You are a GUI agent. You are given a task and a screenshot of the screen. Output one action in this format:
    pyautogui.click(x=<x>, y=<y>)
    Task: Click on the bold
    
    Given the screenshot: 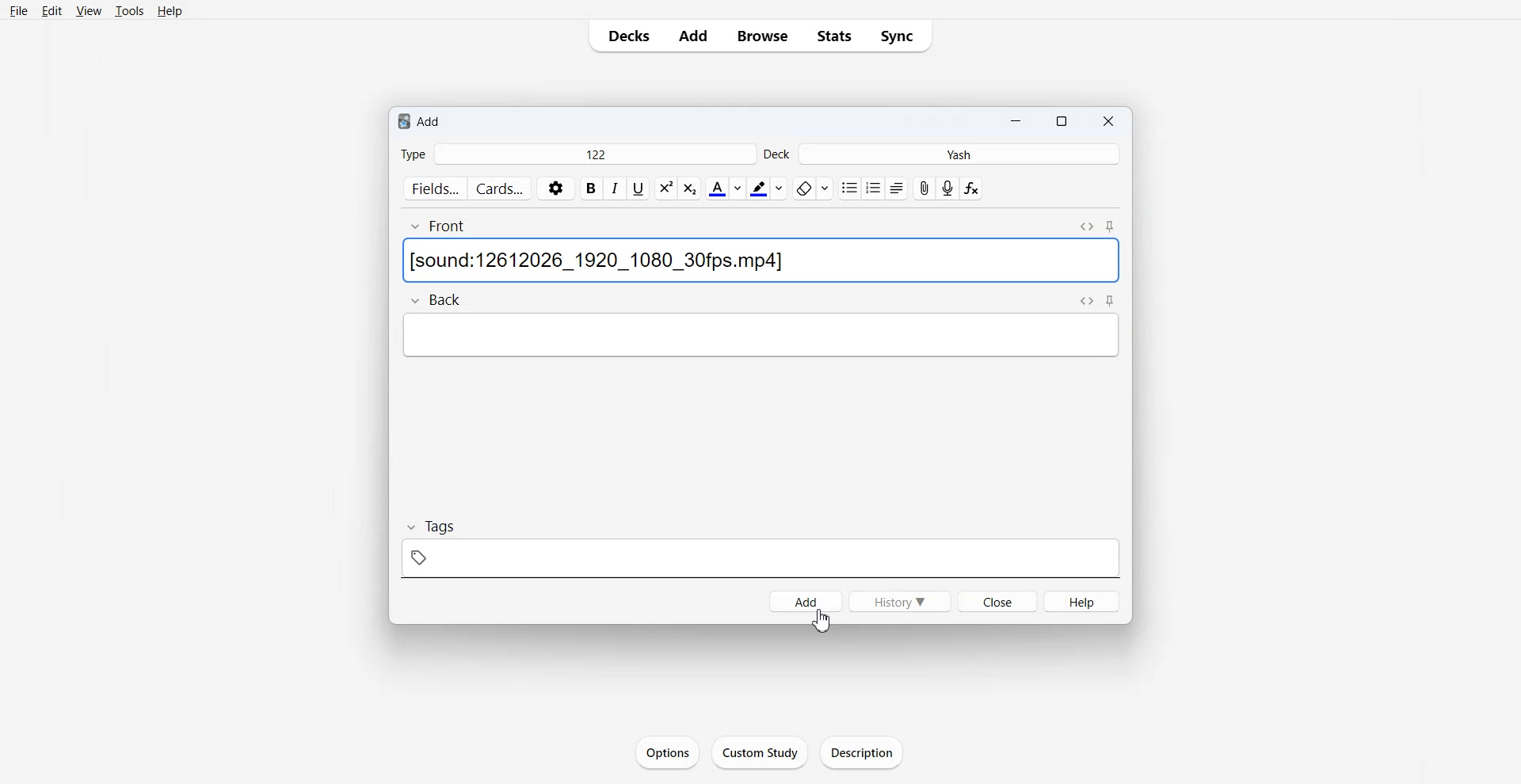 What is the action you would take?
    pyautogui.click(x=591, y=189)
    